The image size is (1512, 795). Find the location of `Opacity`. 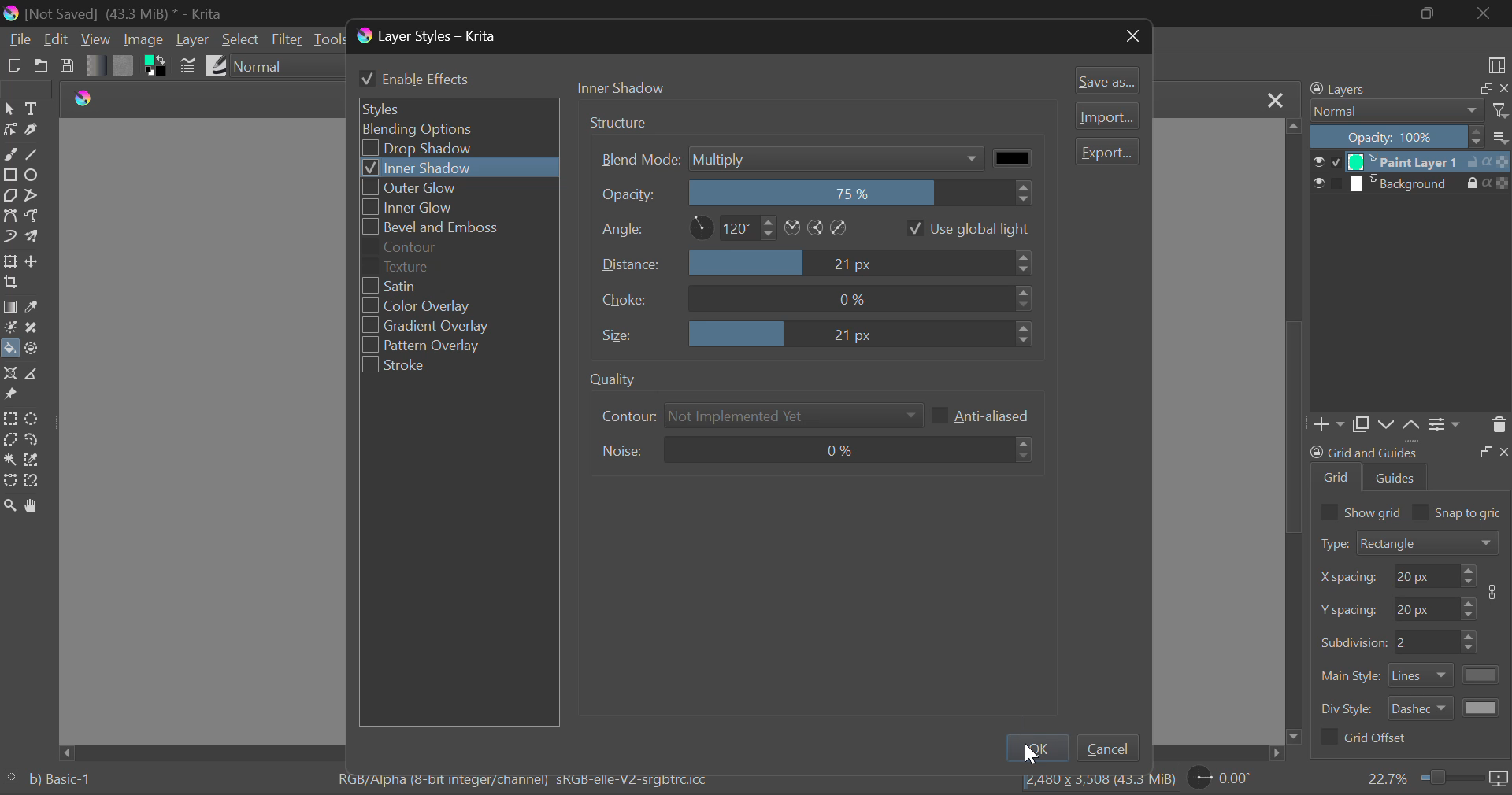

Opacity is located at coordinates (1411, 138).